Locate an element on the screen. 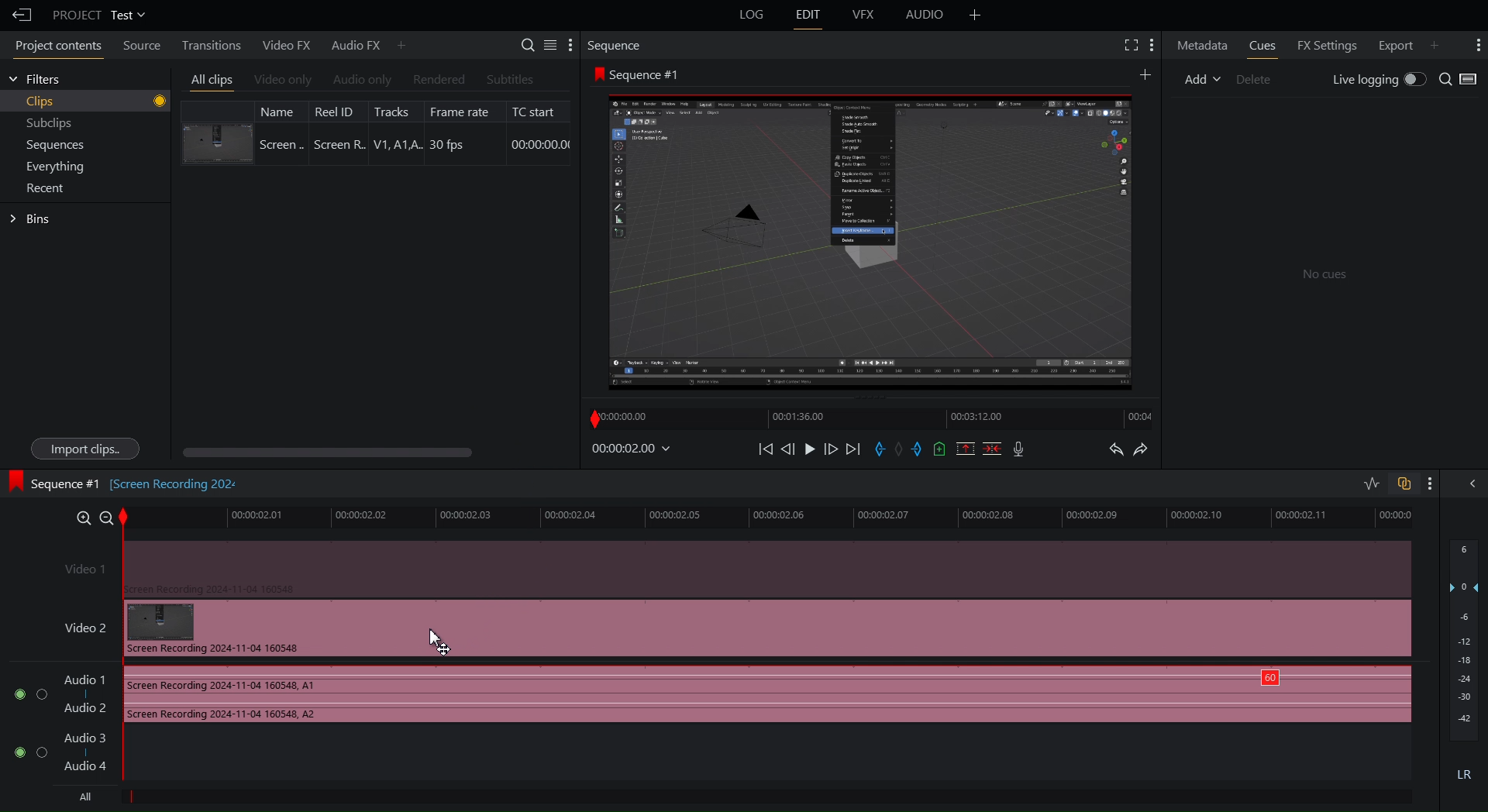 Image resolution: width=1488 pixels, height=812 pixels. Bins is located at coordinates (33, 219).